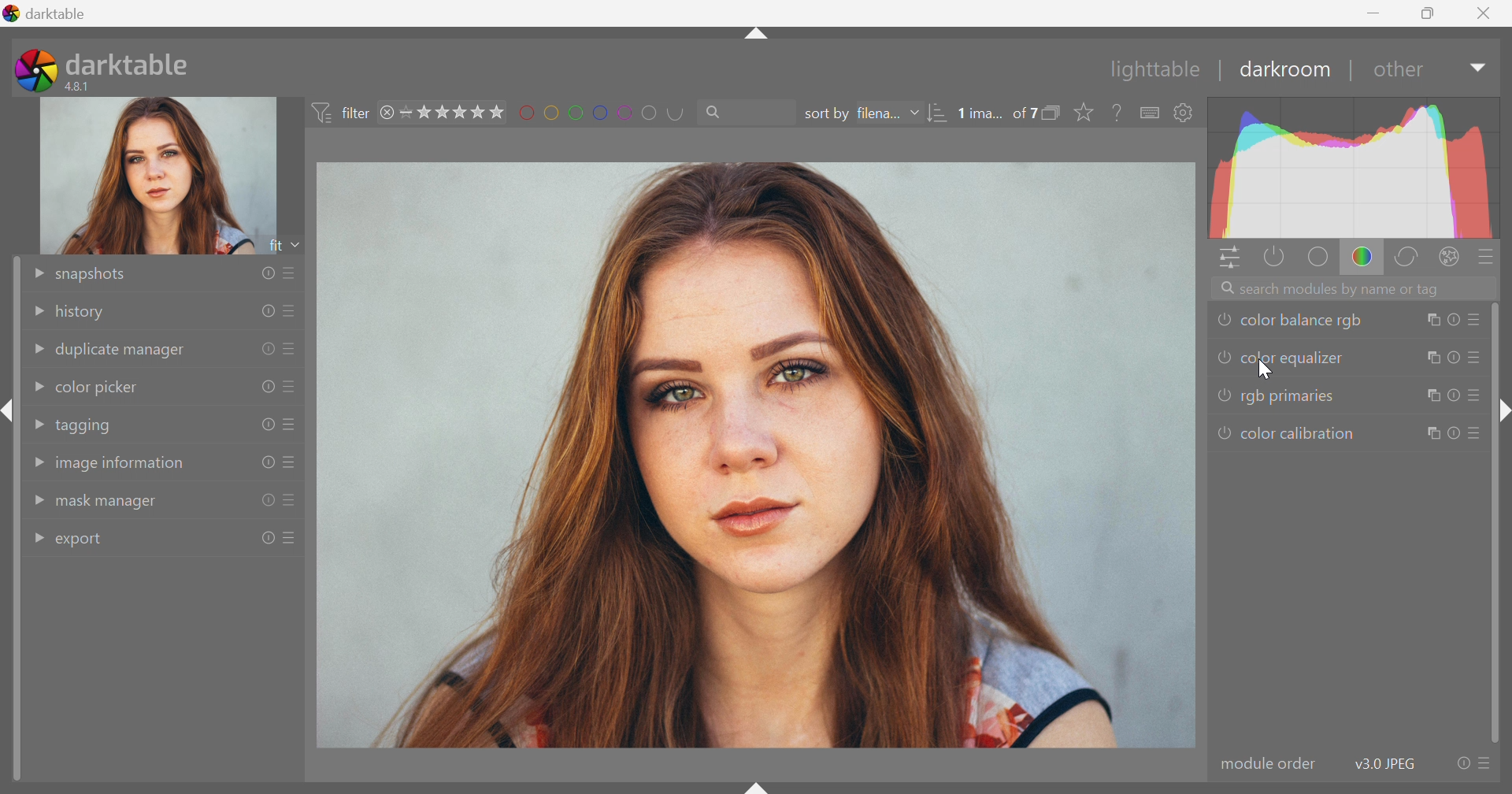 The width and height of the screenshot is (1512, 794). Describe the element at coordinates (292, 389) in the screenshot. I see `presets` at that location.